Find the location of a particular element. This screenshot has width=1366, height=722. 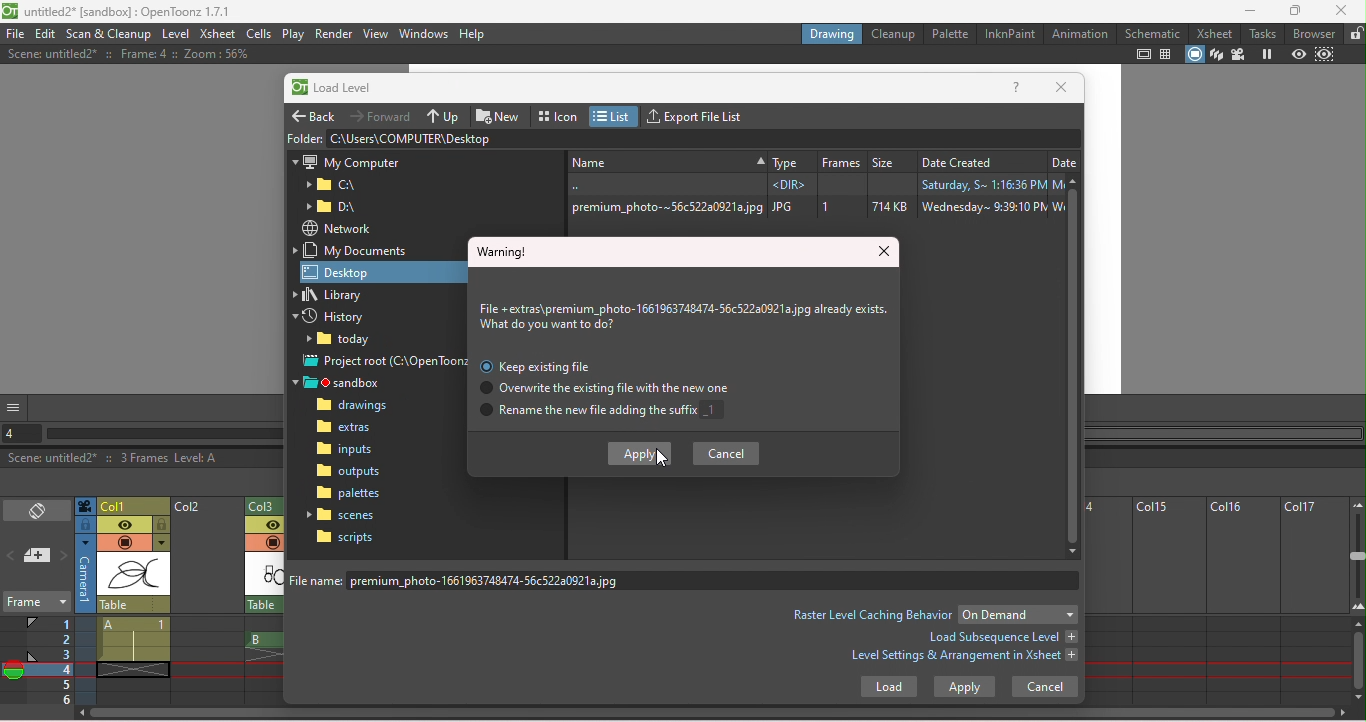

Click to select colun is located at coordinates (134, 505).